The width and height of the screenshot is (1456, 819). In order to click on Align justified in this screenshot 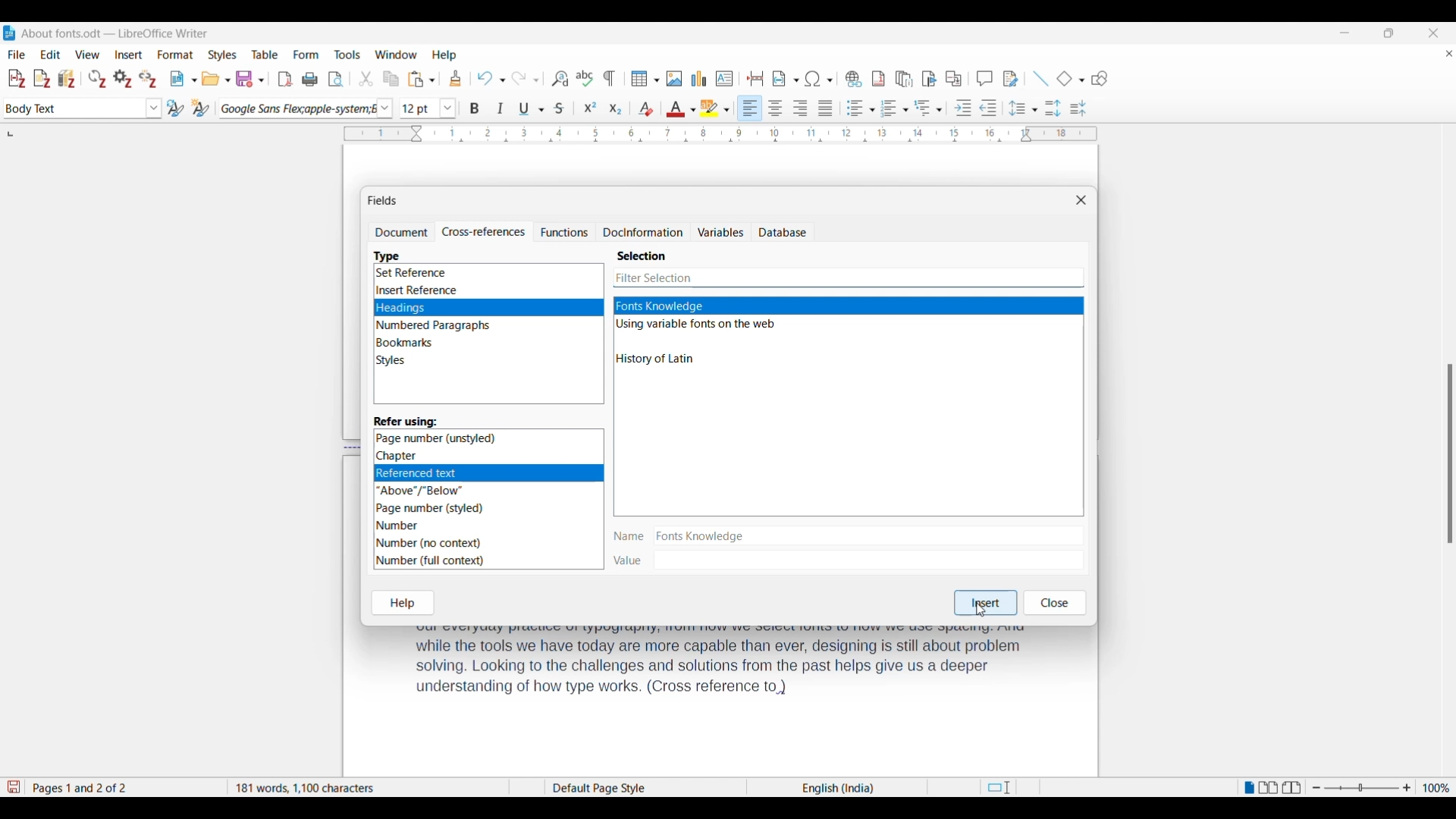, I will do `click(826, 108)`.